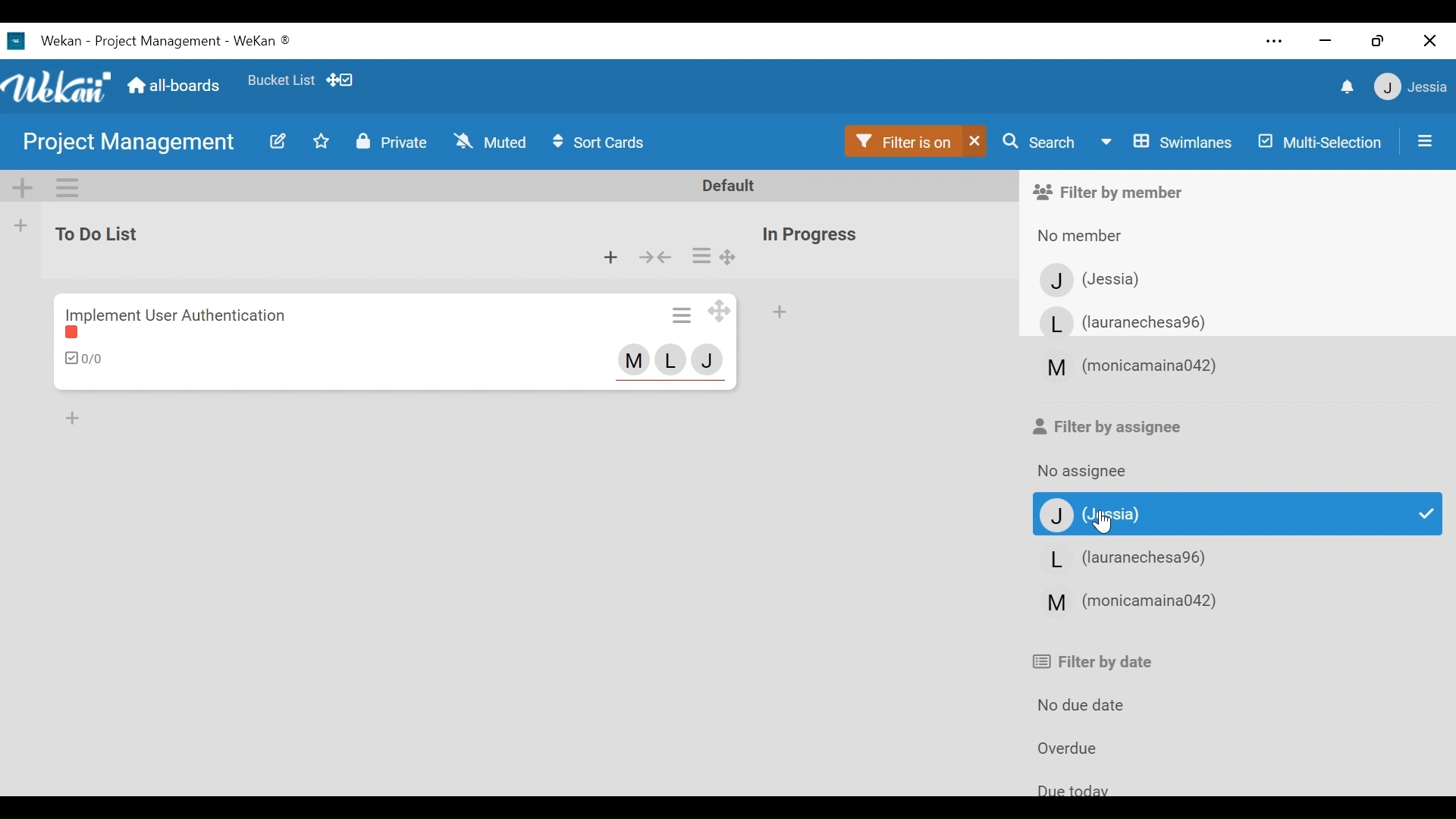  What do you see at coordinates (734, 257) in the screenshot?
I see `Desktop drag handles` at bounding box center [734, 257].